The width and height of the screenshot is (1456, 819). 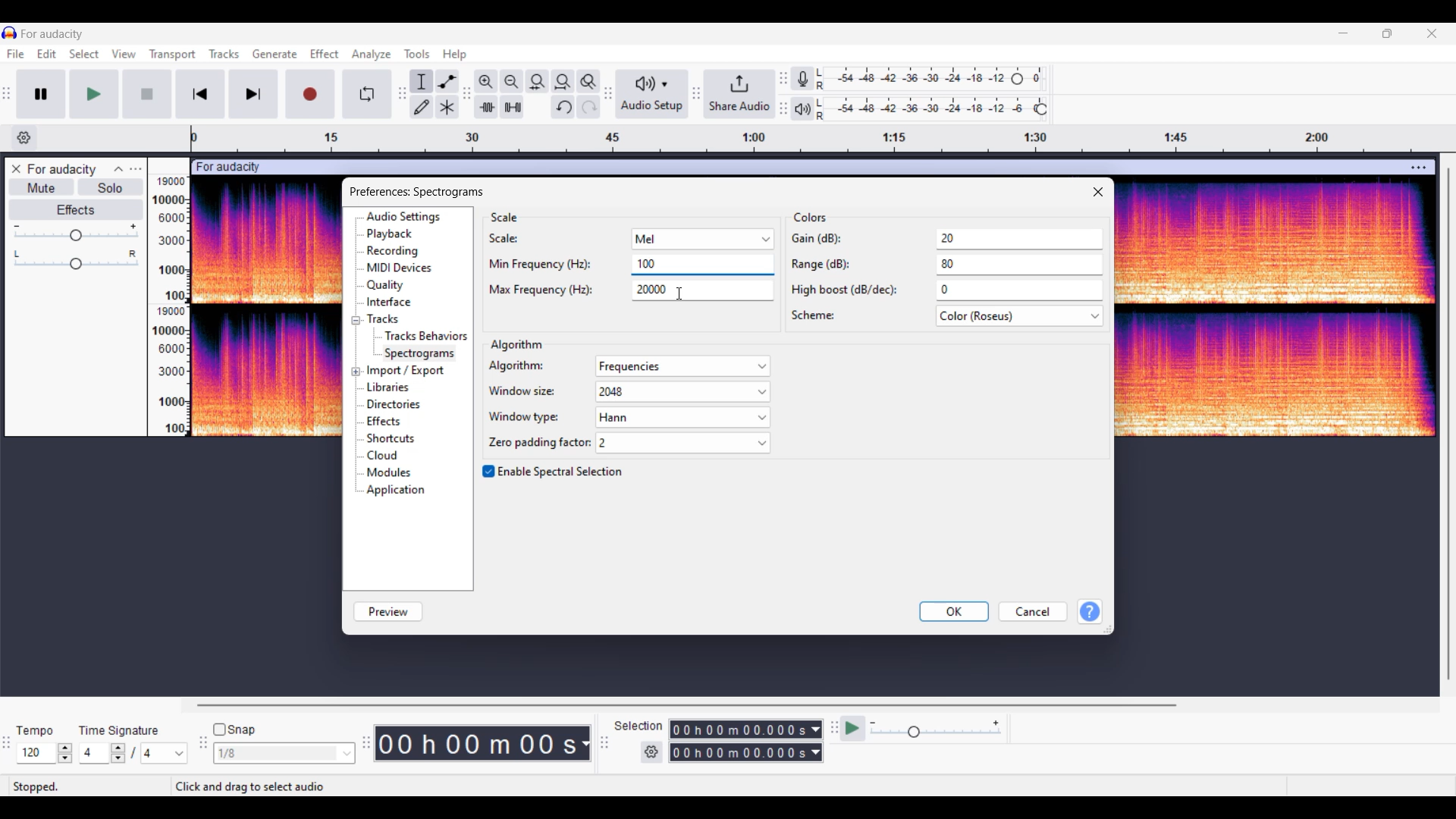 What do you see at coordinates (803, 108) in the screenshot?
I see `Playback meter` at bounding box center [803, 108].